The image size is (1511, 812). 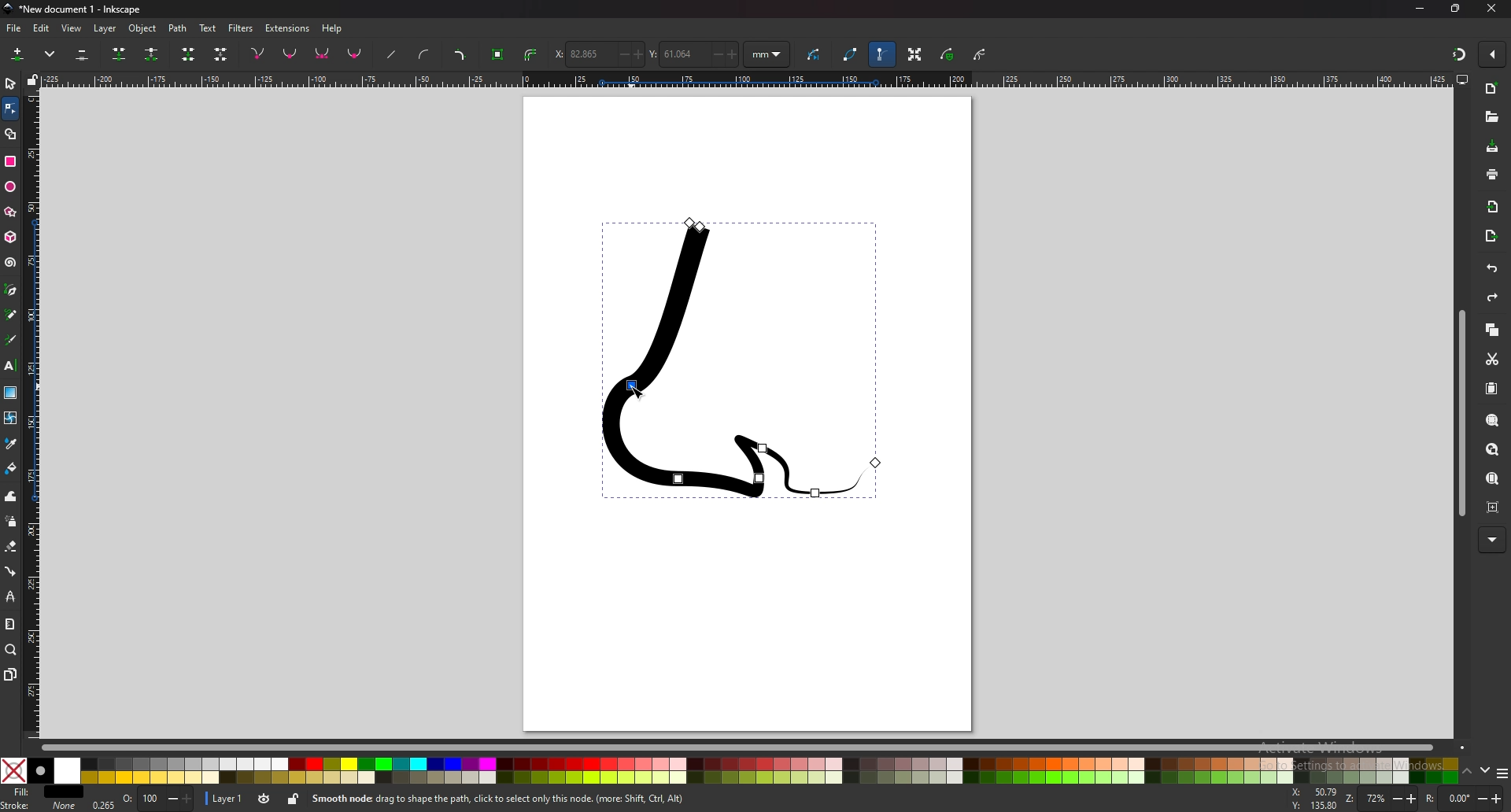 What do you see at coordinates (1391, 800) in the screenshot?
I see `zoom` at bounding box center [1391, 800].